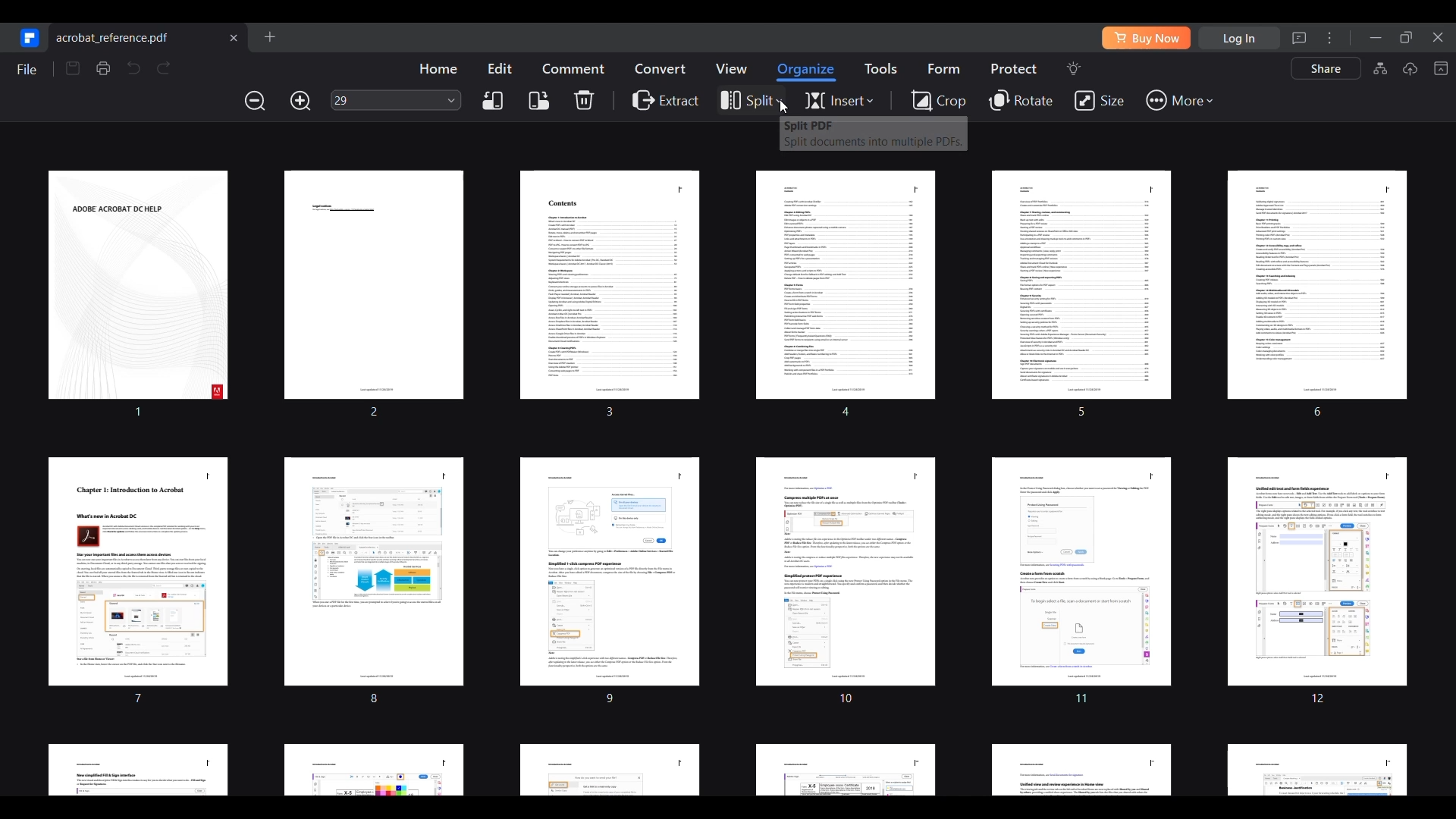 The width and height of the screenshot is (1456, 819). Describe the element at coordinates (385, 100) in the screenshot. I see `Type page input` at that location.